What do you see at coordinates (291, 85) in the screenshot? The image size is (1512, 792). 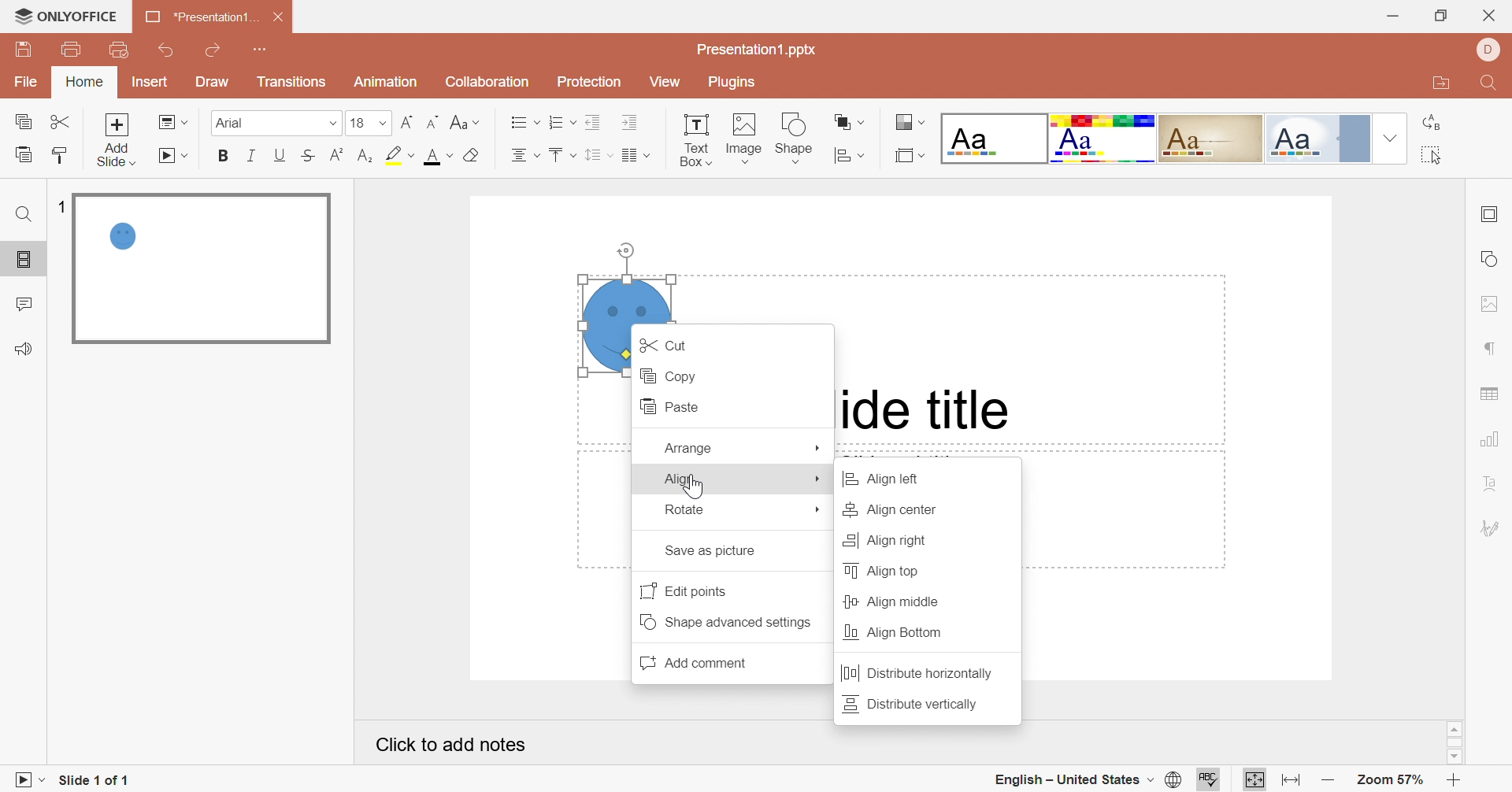 I see `Transitions` at bounding box center [291, 85].